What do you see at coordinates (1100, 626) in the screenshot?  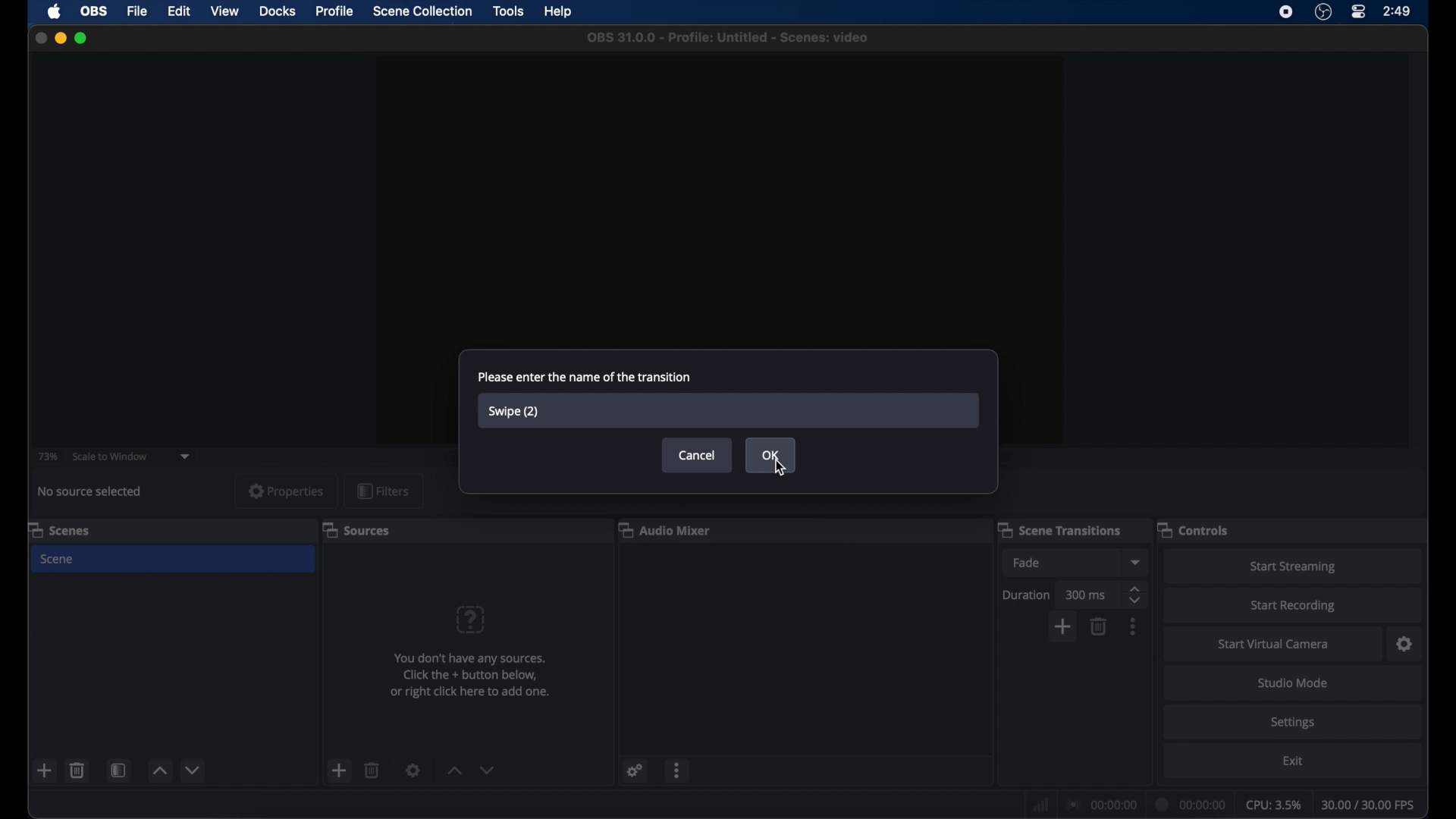 I see `delete` at bounding box center [1100, 626].